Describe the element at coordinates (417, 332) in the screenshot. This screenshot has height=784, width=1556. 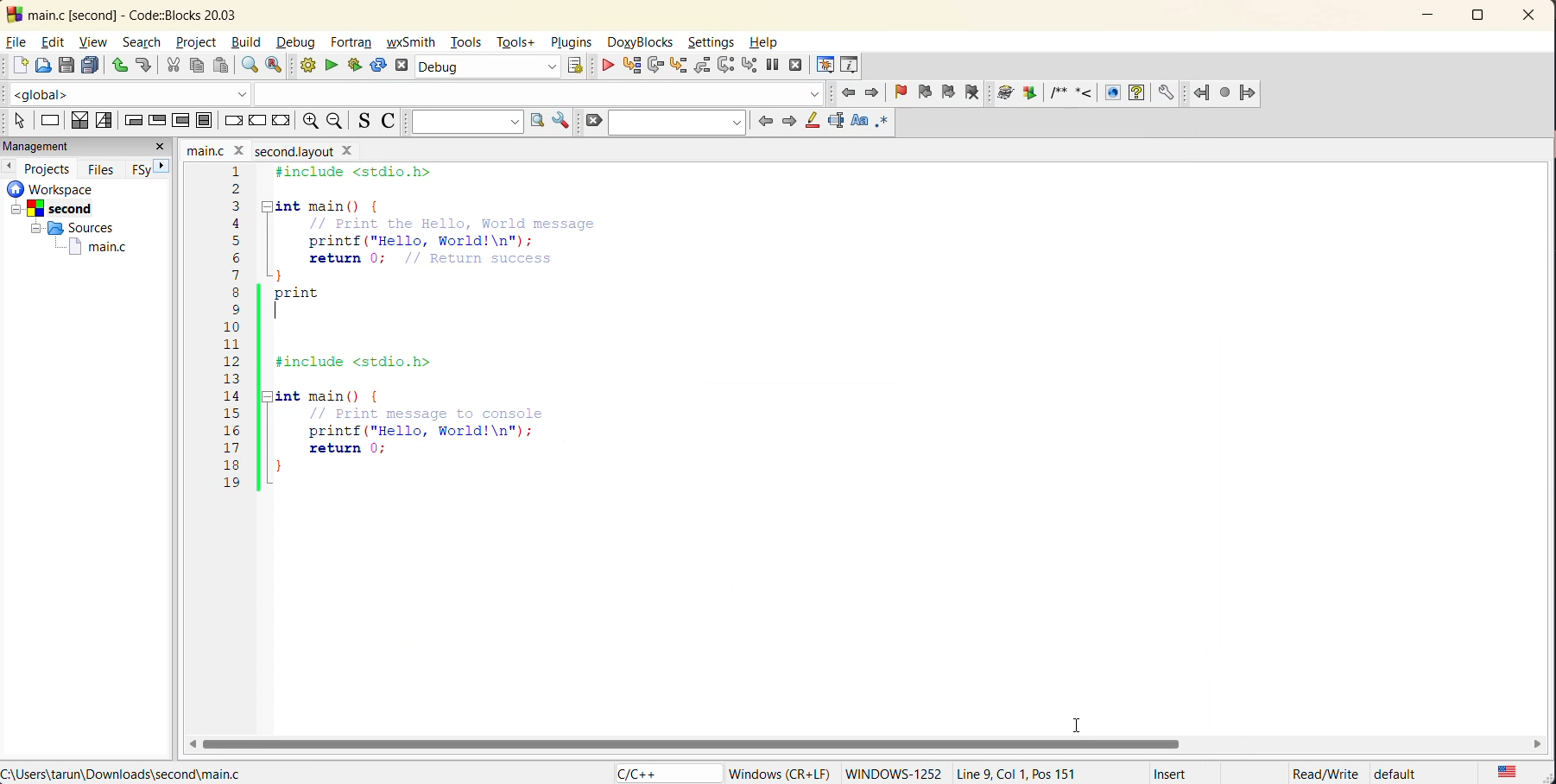
I see `#include <stdio.h> 2 3  int main() {4 Print the Hello, World message5) printf ("Hello, World!\n");6 return 0; Return success7 }8 print5 ||10112 | #include <stdio.h>1314 [Tint main() (15 Print message to console16 printf ("Hello, World!\n");17 return 0;18 ||}19` at that location.